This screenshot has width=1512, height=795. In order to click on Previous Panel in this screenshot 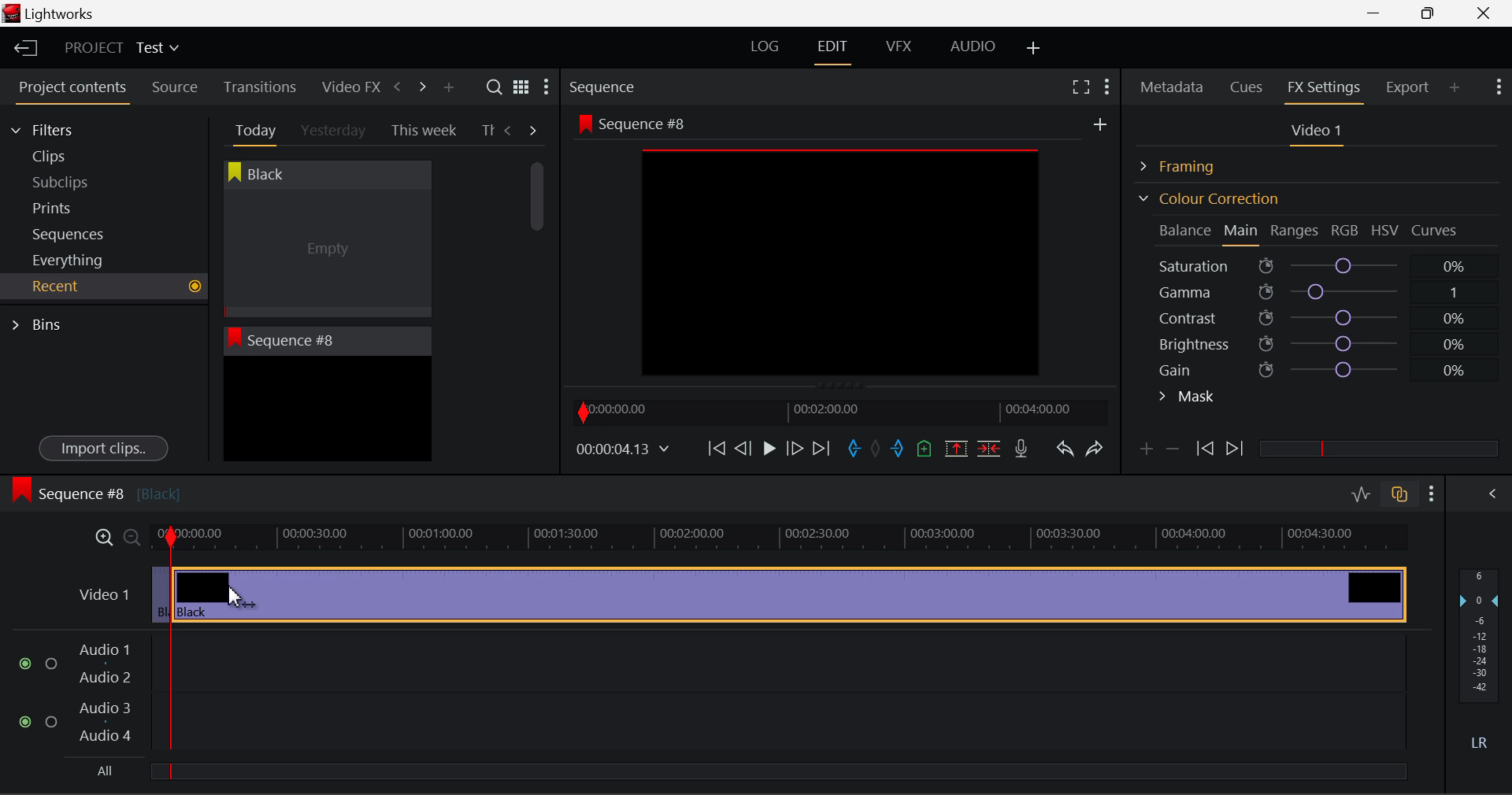, I will do `click(397, 87)`.